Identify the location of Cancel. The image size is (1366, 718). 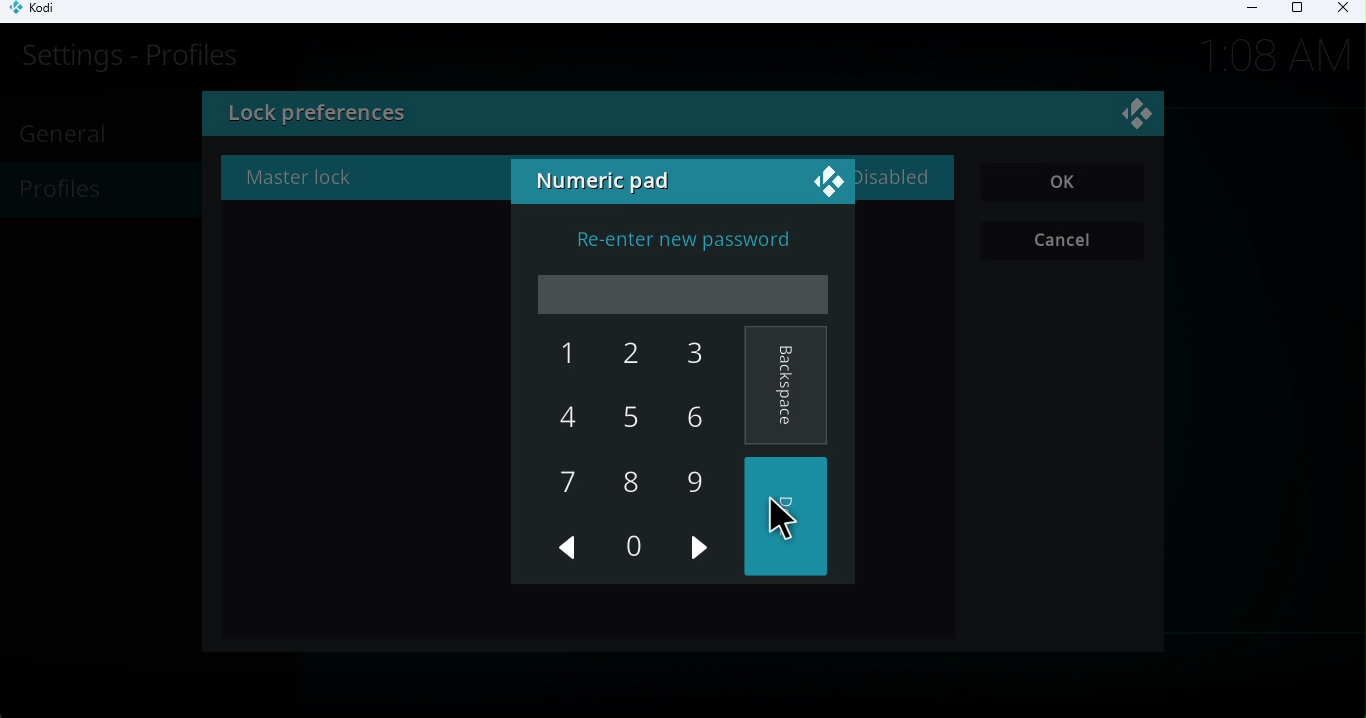
(1066, 241).